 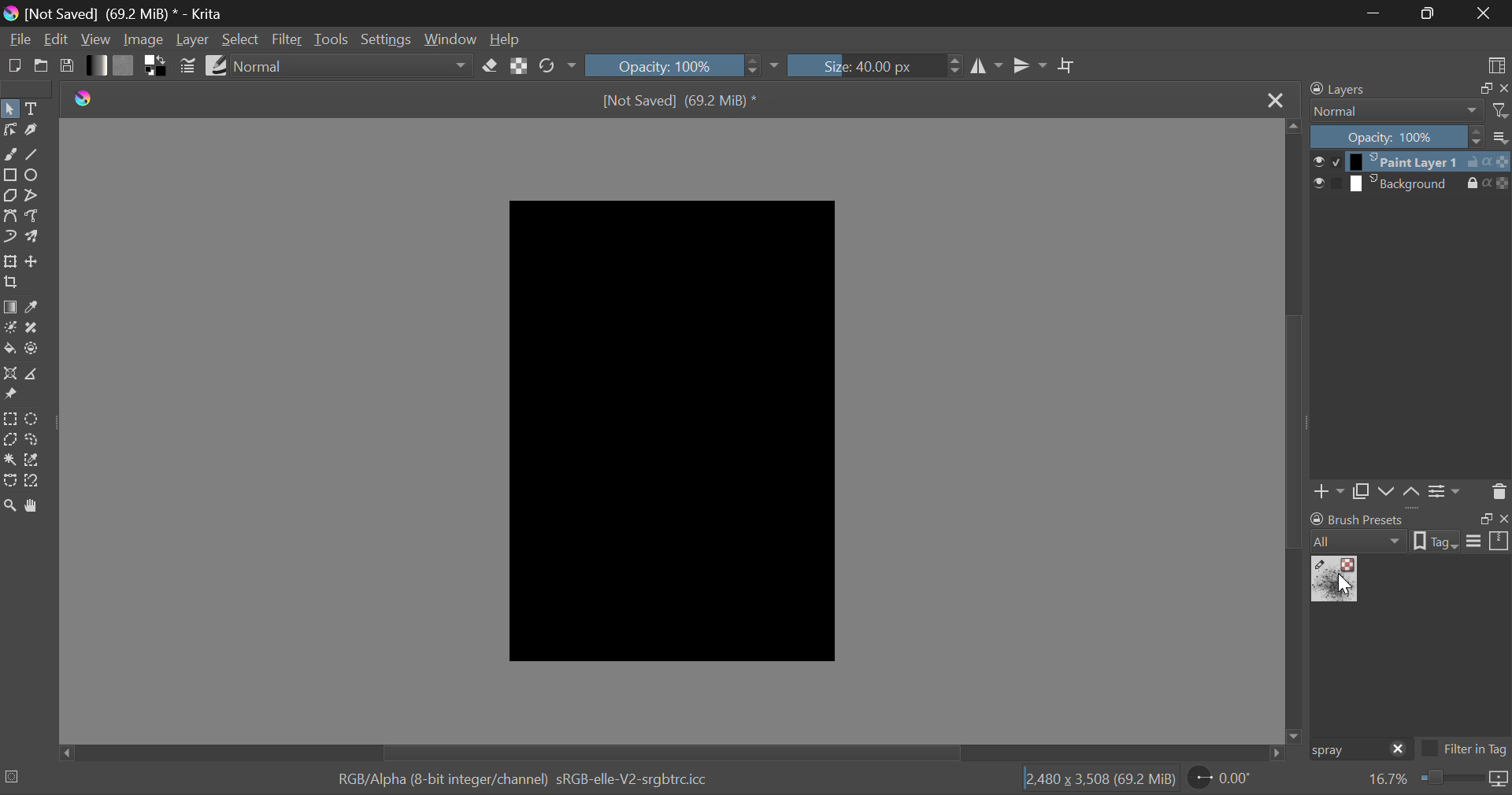 What do you see at coordinates (1431, 12) in the screenshot?
I see `Minimize` at bounding box center [1431, 12].